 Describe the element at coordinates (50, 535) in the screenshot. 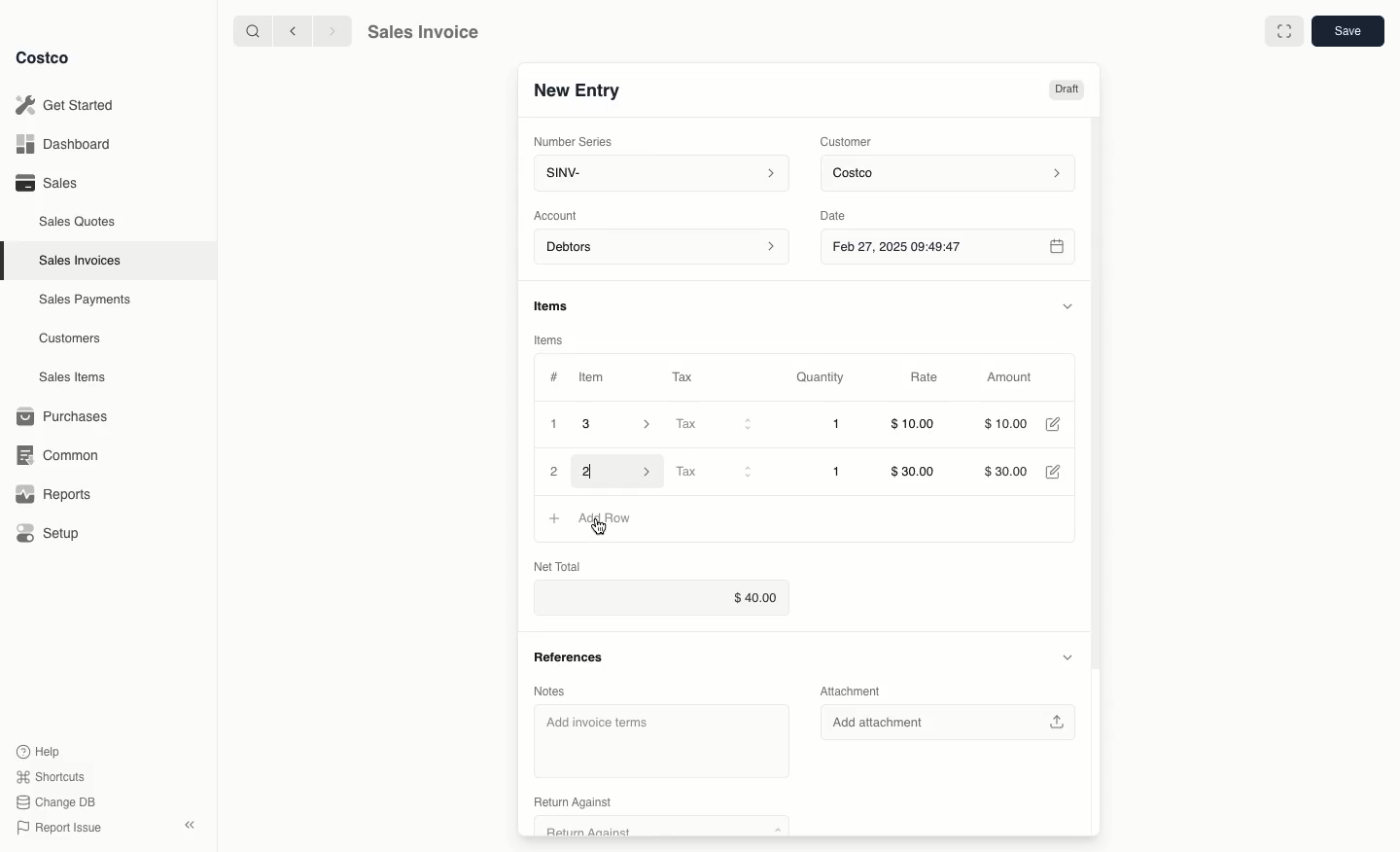

I see `Setup` at that location.